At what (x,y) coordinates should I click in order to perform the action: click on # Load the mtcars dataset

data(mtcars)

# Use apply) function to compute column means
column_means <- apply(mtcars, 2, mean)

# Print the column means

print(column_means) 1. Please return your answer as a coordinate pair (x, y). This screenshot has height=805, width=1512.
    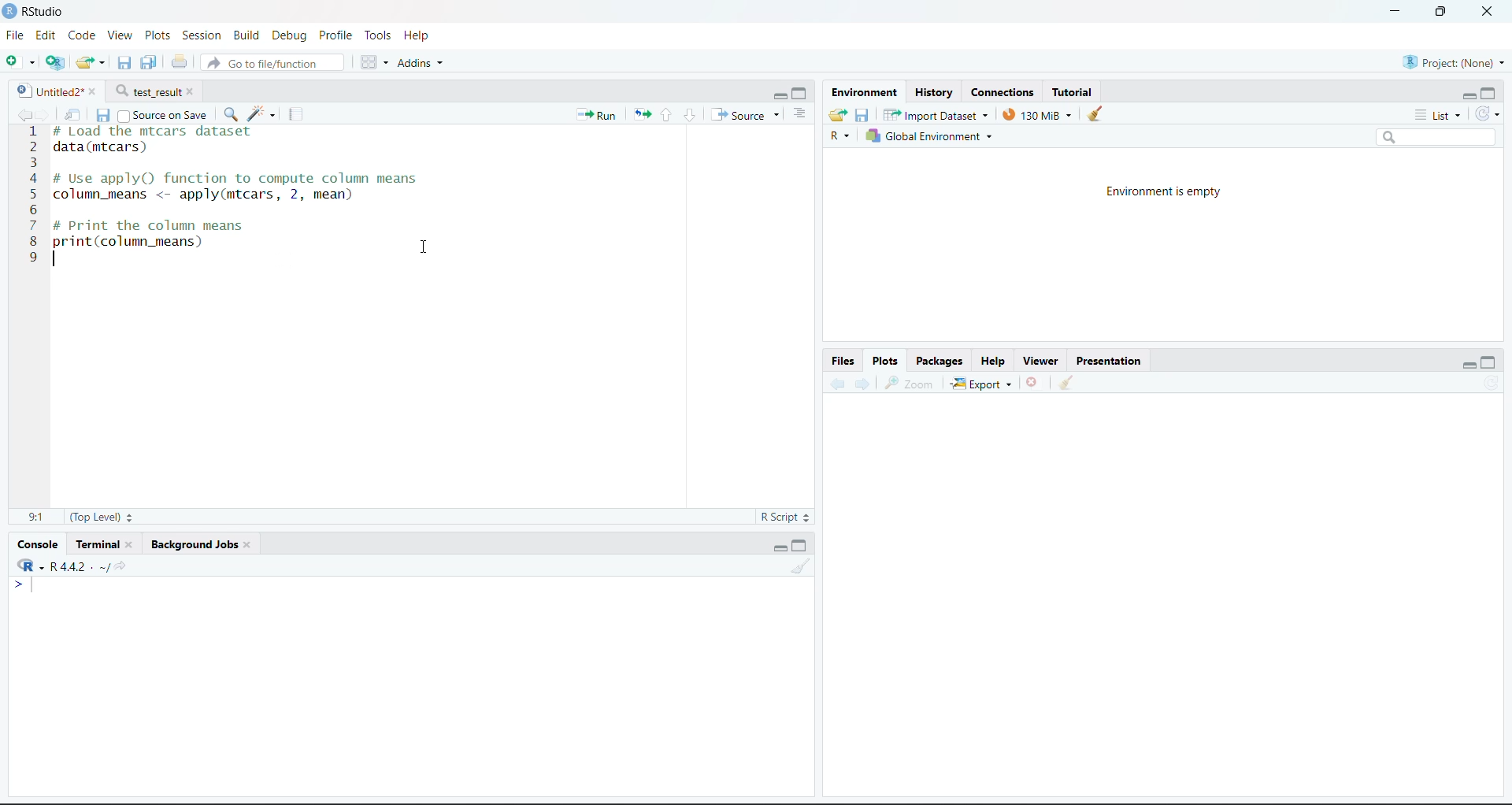
    Looking at the image, I should click on (248, 209).